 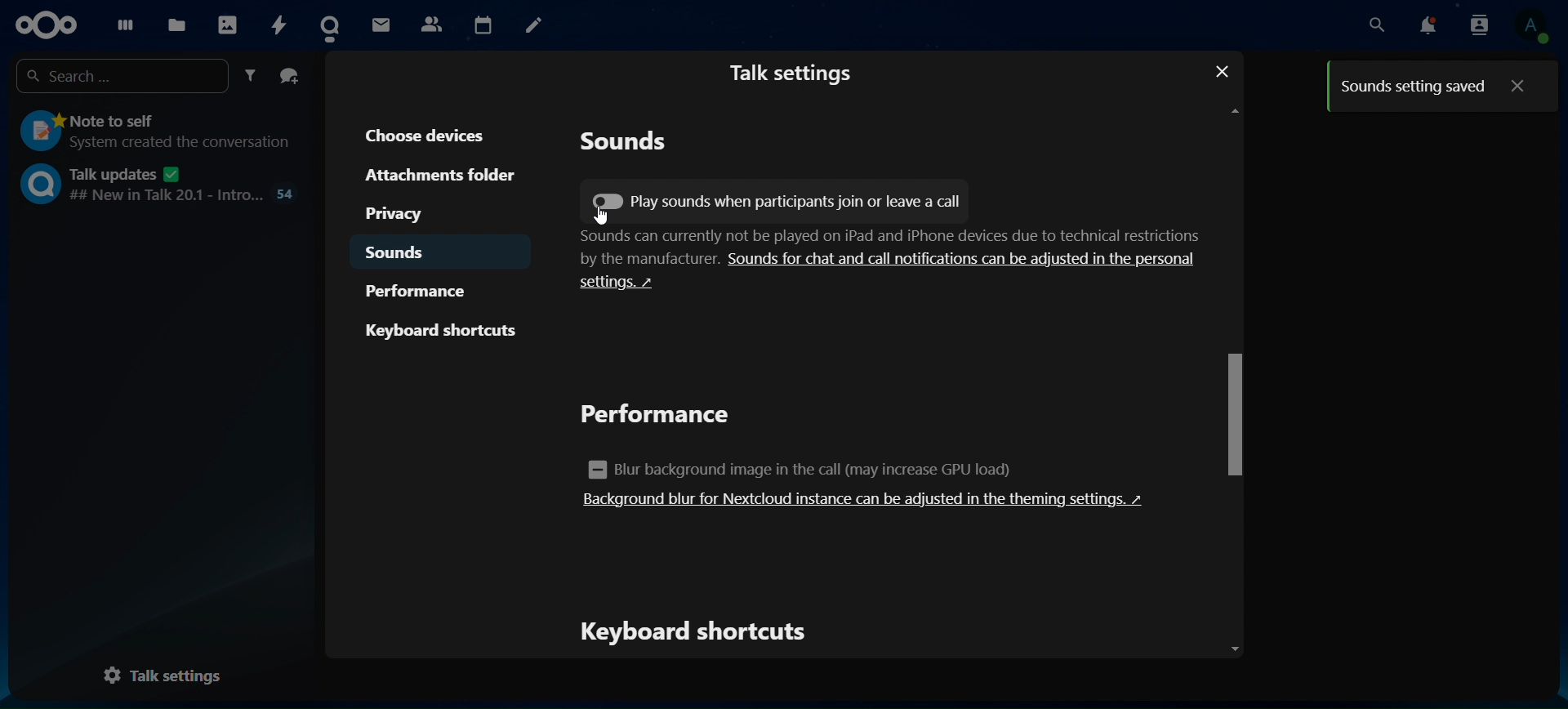 I want to click on blur background image, so click(x=812, y=469).